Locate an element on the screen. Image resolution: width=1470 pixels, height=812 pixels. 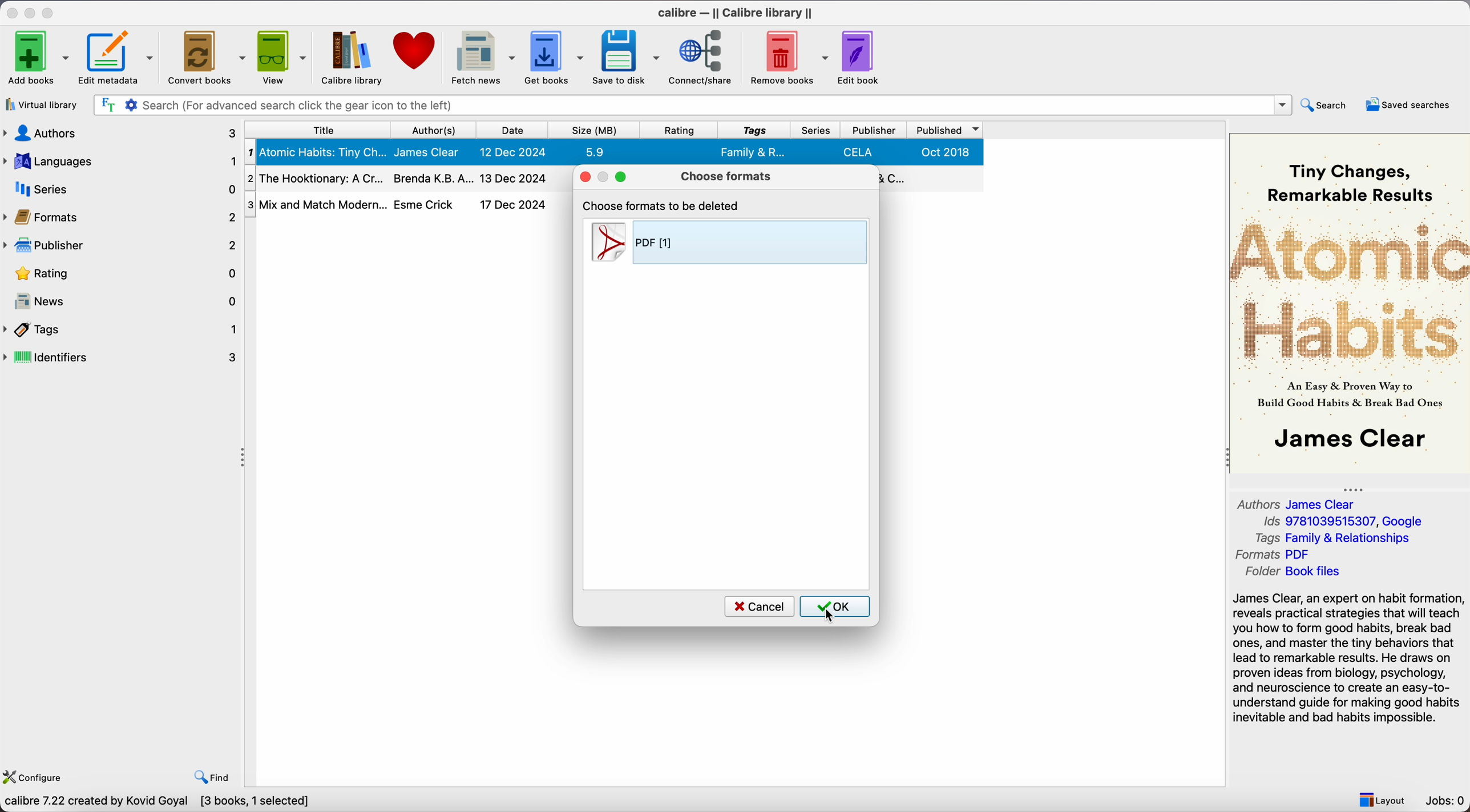
authors is located at coordinates (120, 134).